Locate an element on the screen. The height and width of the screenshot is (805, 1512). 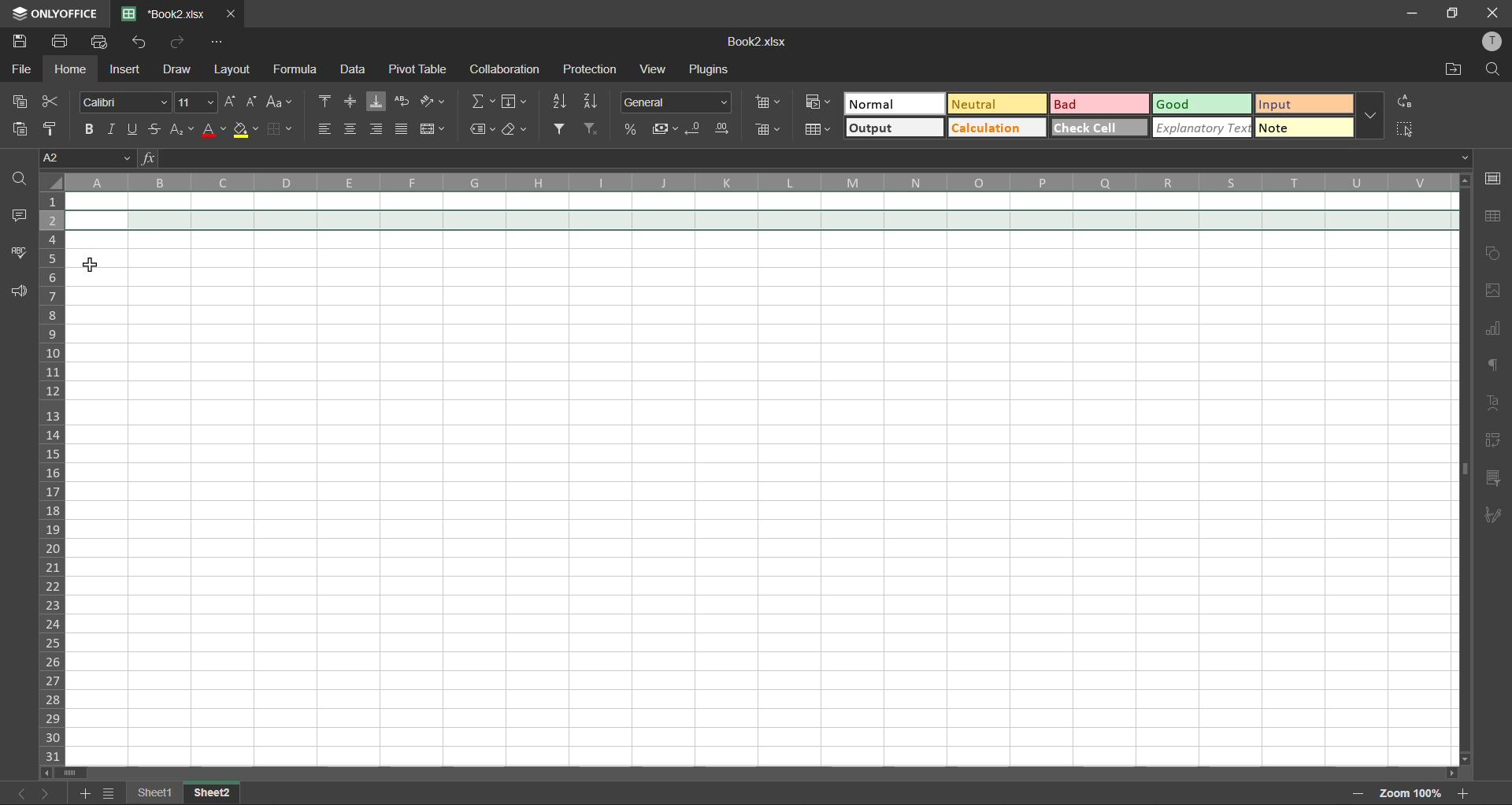
selected row is located at coordinates (763, 219).